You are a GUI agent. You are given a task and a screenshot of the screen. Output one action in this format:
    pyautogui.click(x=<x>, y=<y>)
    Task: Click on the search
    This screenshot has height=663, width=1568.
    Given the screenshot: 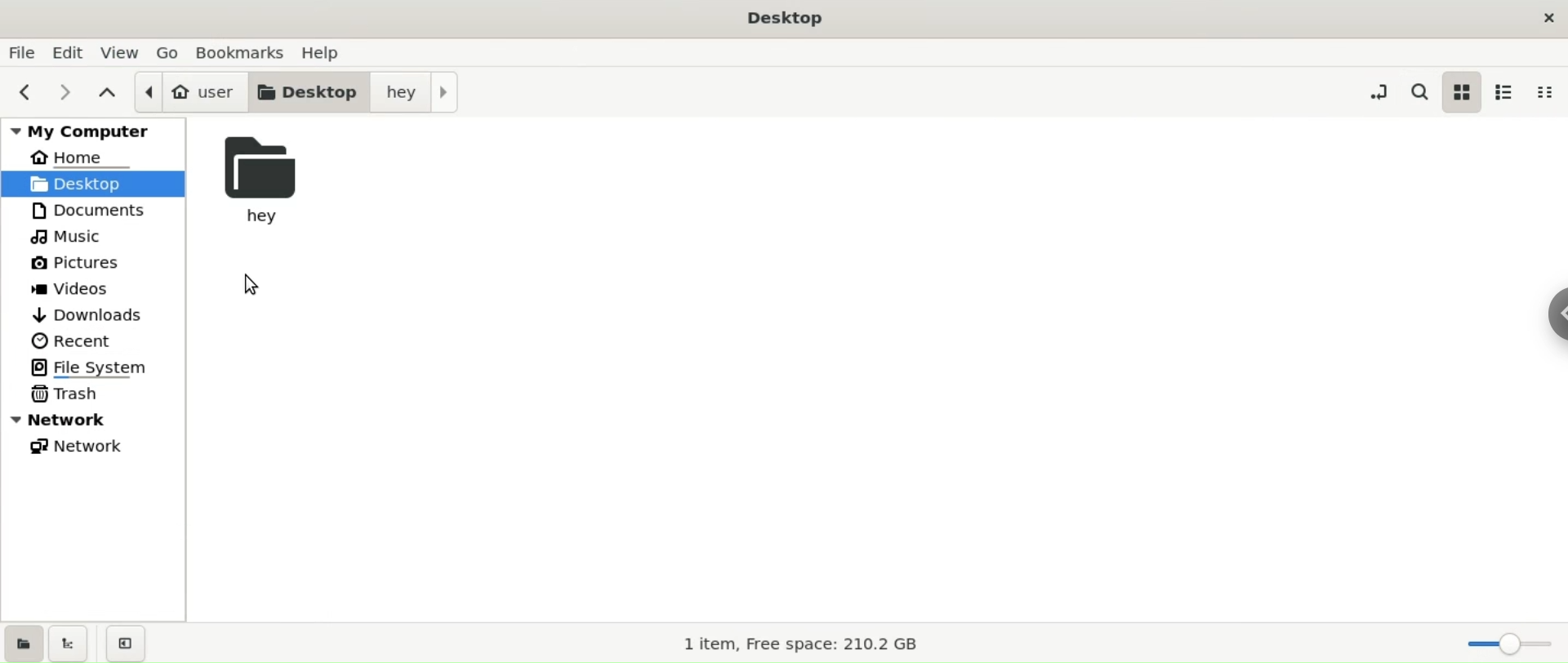 What is the action you would take?
    pyautogui.click(x=1418, y=91)
    